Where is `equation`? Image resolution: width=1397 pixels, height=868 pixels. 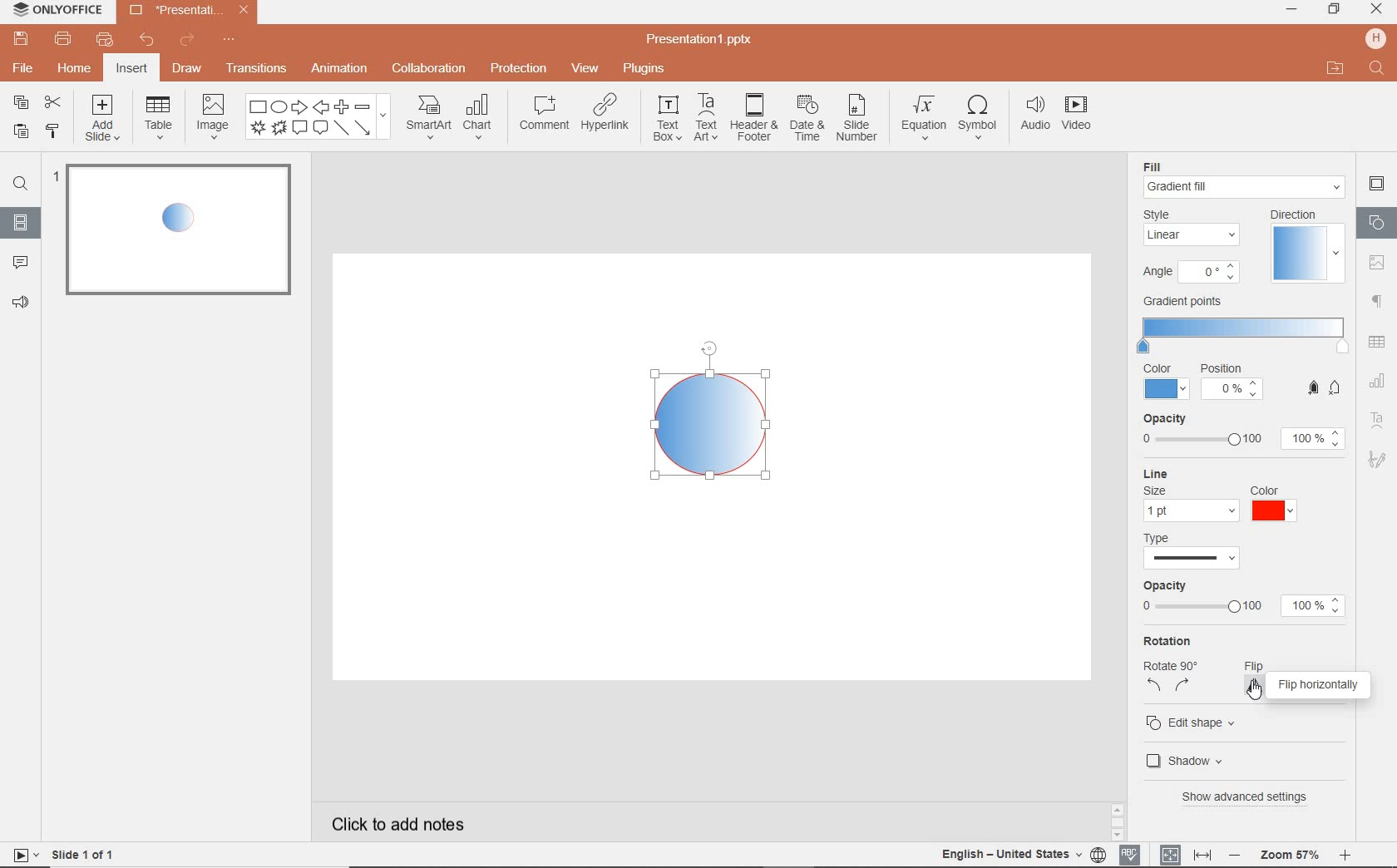 equation is located at coordinates (922, 117).